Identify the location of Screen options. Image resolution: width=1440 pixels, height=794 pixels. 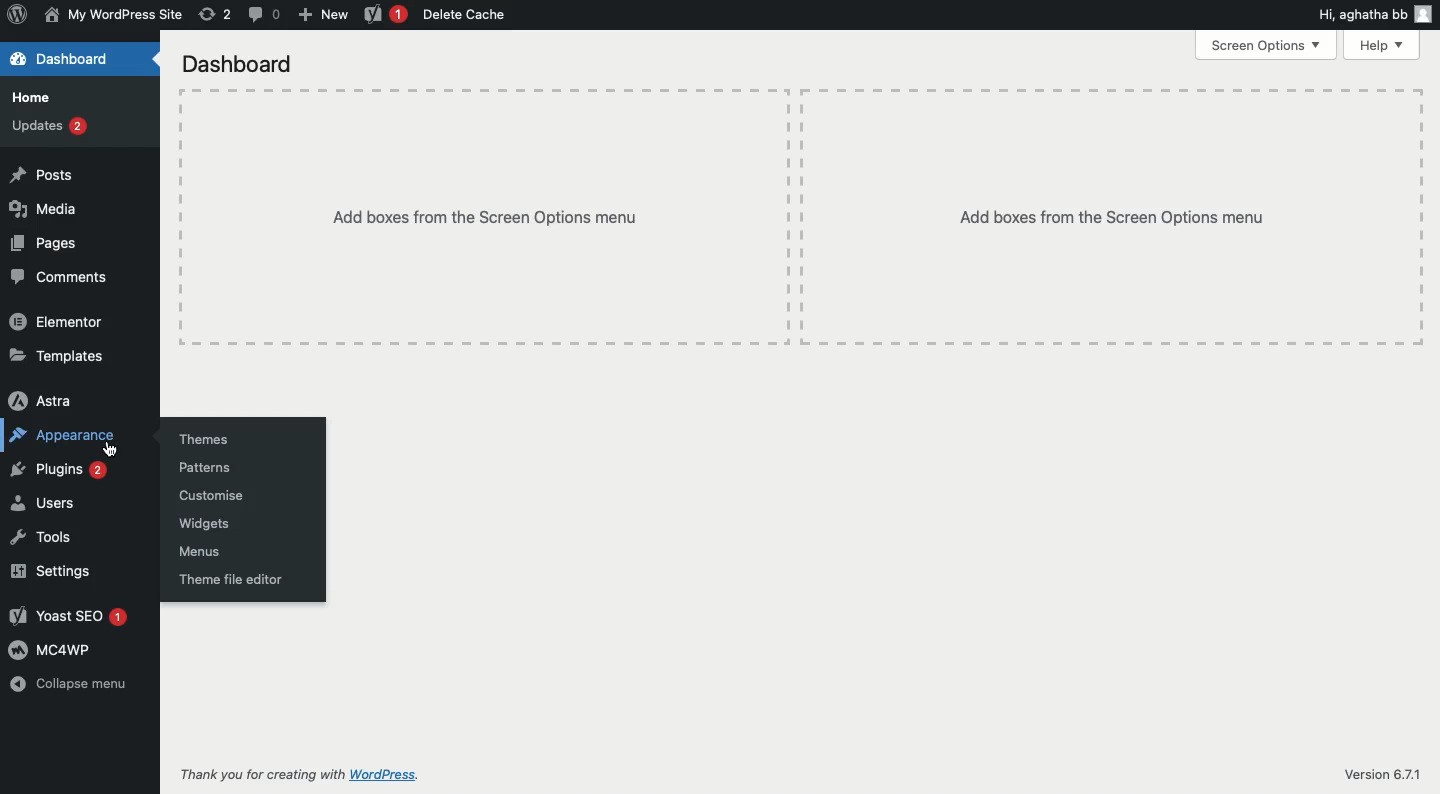
(1264, 44).